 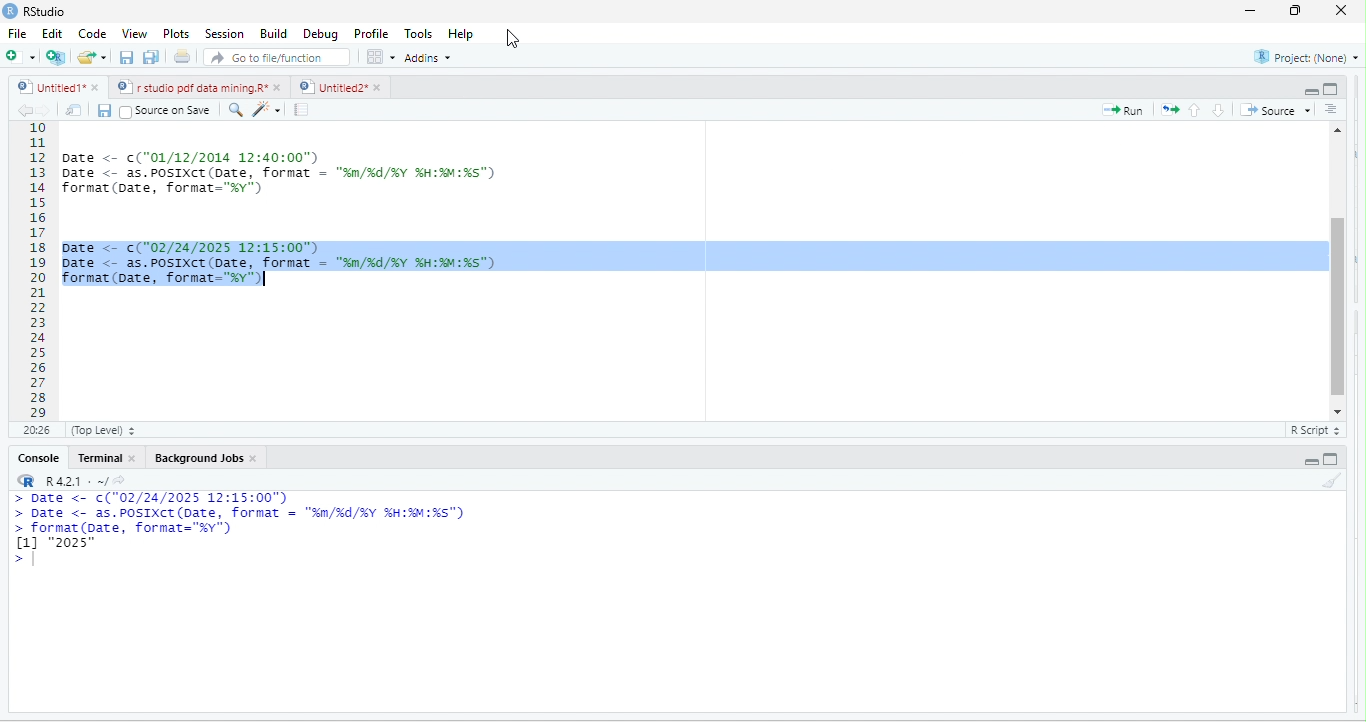 What do you see at coordinates (52, 36) in the screenshot?
I see `Edit` at bounding box center [52, 36].